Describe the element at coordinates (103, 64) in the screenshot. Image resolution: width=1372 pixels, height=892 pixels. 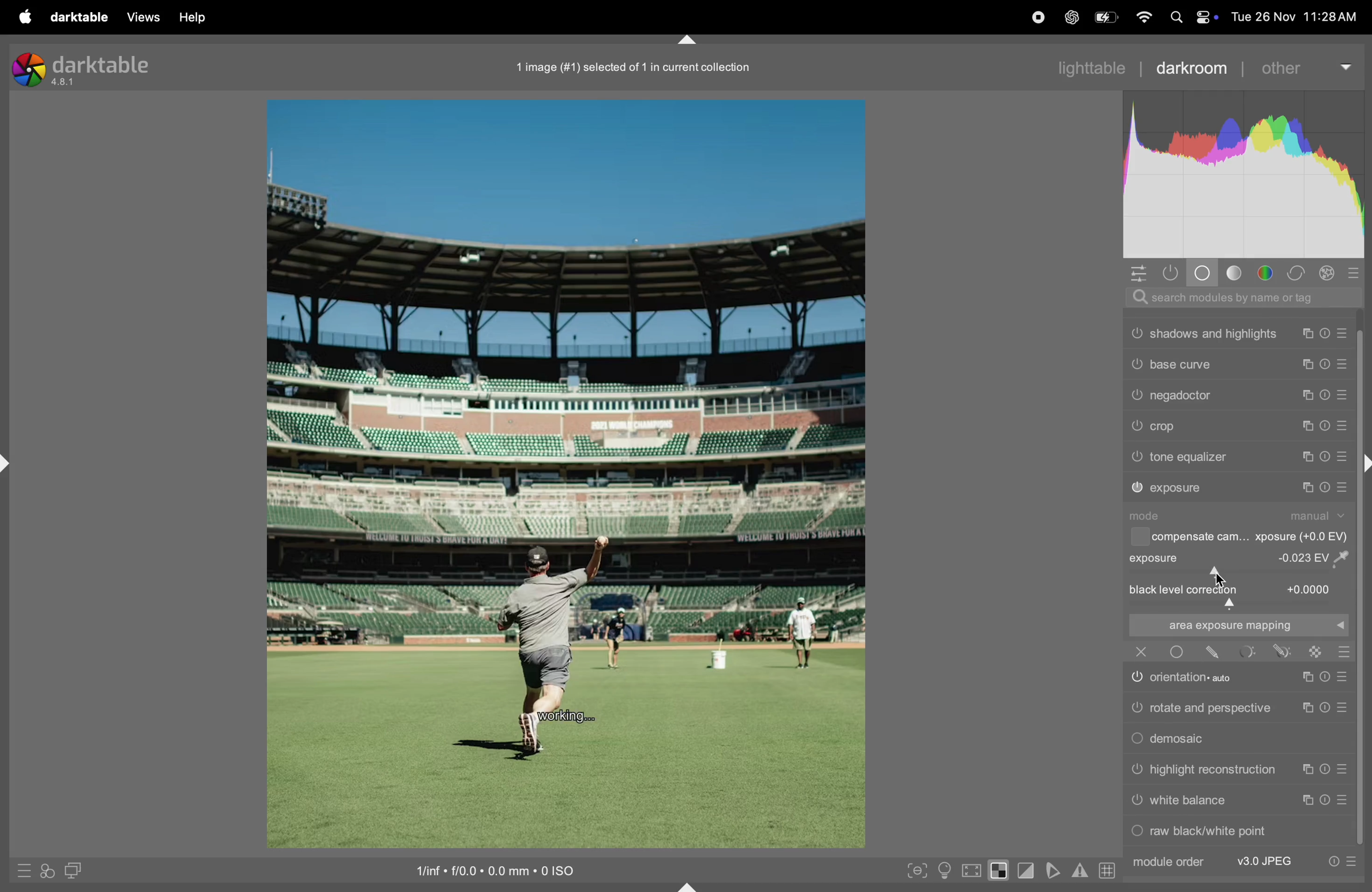
I see `darktable` at that location.